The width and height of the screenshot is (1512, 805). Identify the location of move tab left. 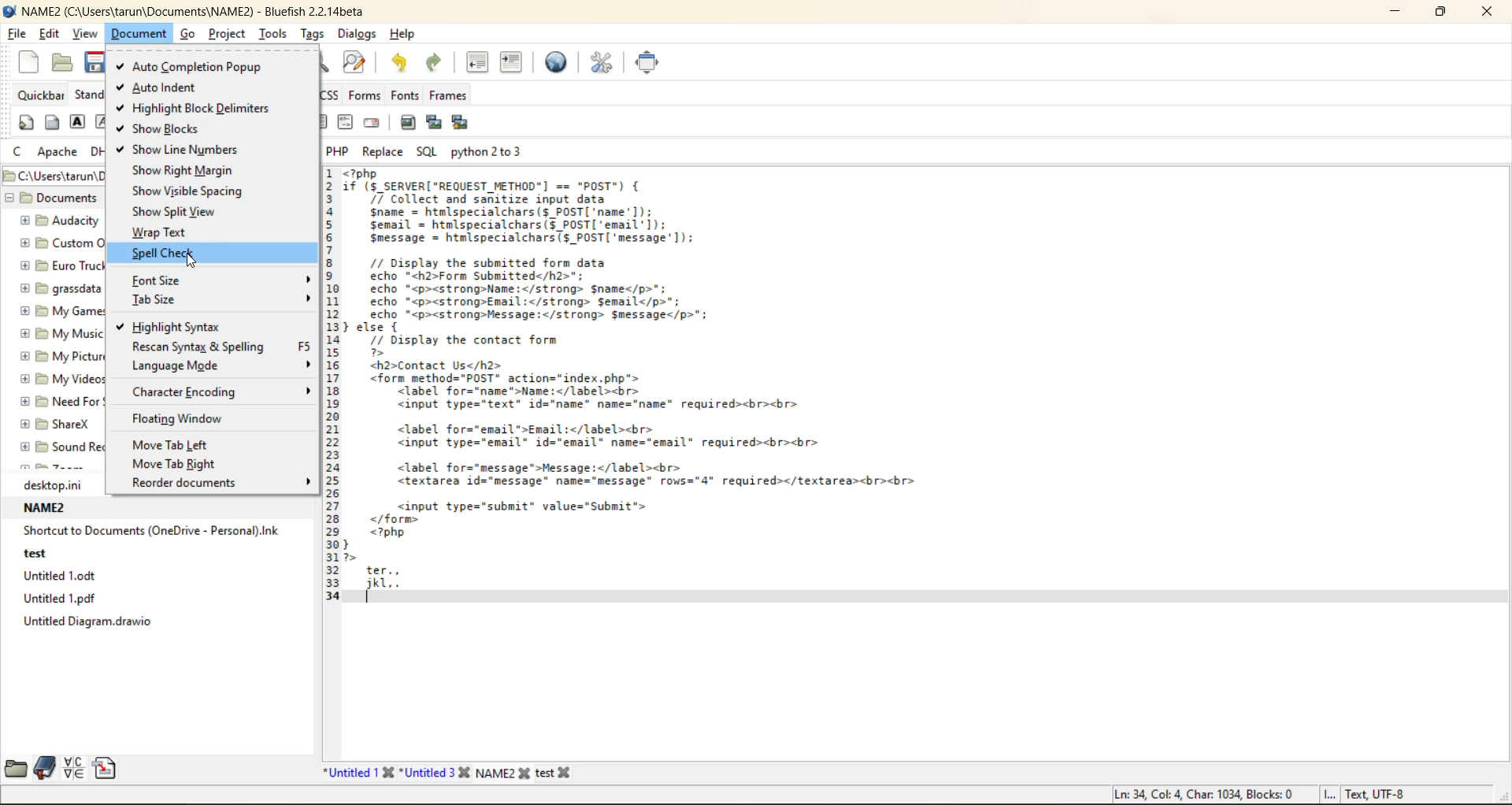
(176, 443).